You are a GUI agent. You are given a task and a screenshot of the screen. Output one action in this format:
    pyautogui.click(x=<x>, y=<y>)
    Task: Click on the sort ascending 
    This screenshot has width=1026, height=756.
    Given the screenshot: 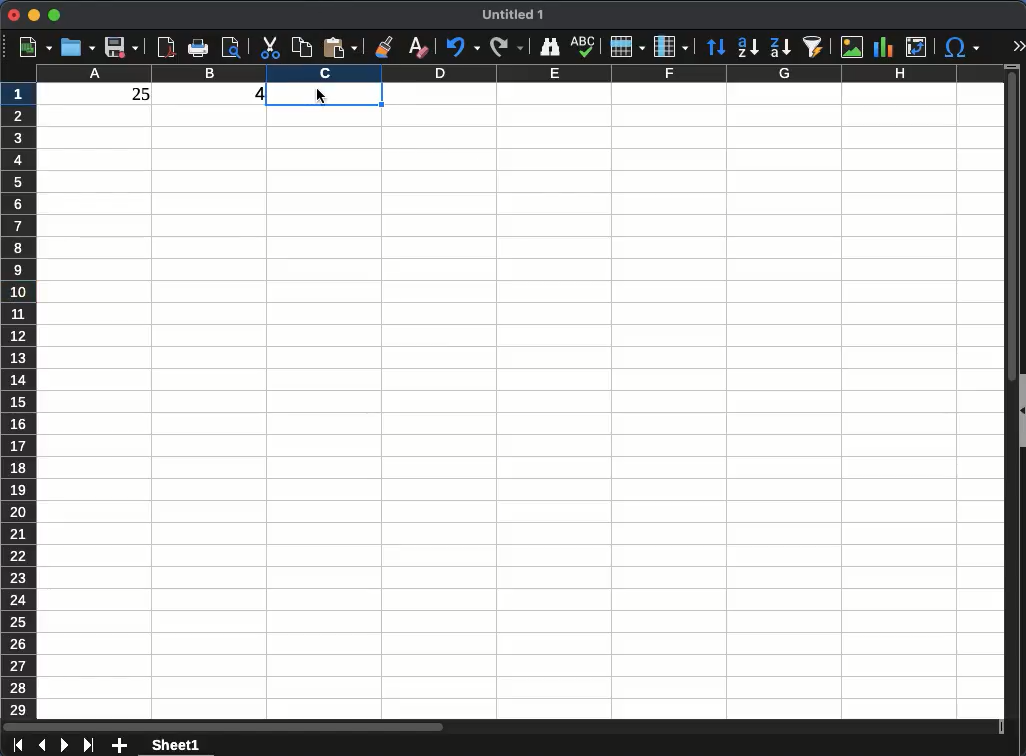 What is the action you would take?
    pyautogui.click(x=748, y=49)
    